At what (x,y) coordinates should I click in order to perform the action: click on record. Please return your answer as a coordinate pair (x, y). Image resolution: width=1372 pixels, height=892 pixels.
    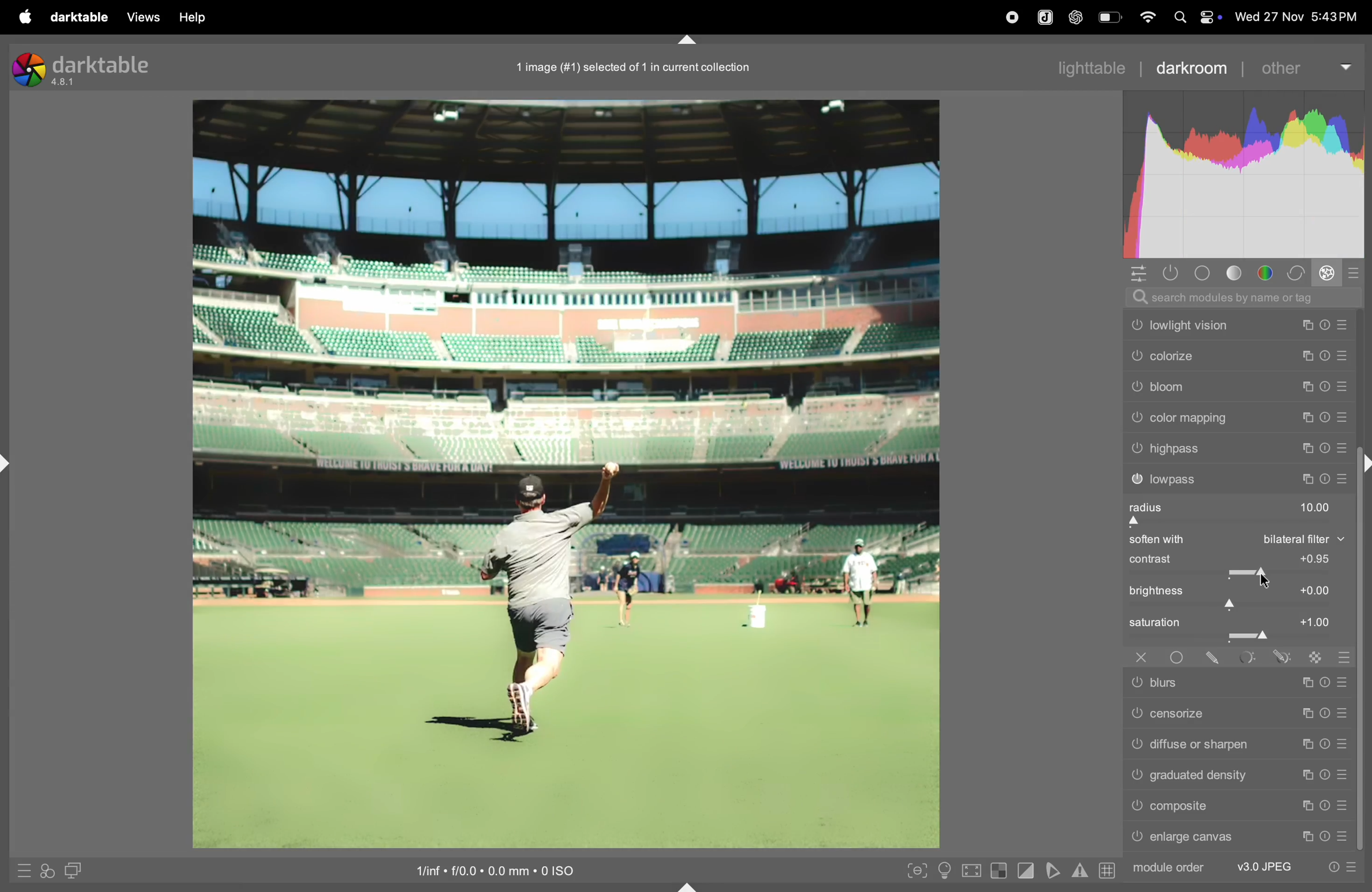
    Looking at the image, I should click on (1009, 17).